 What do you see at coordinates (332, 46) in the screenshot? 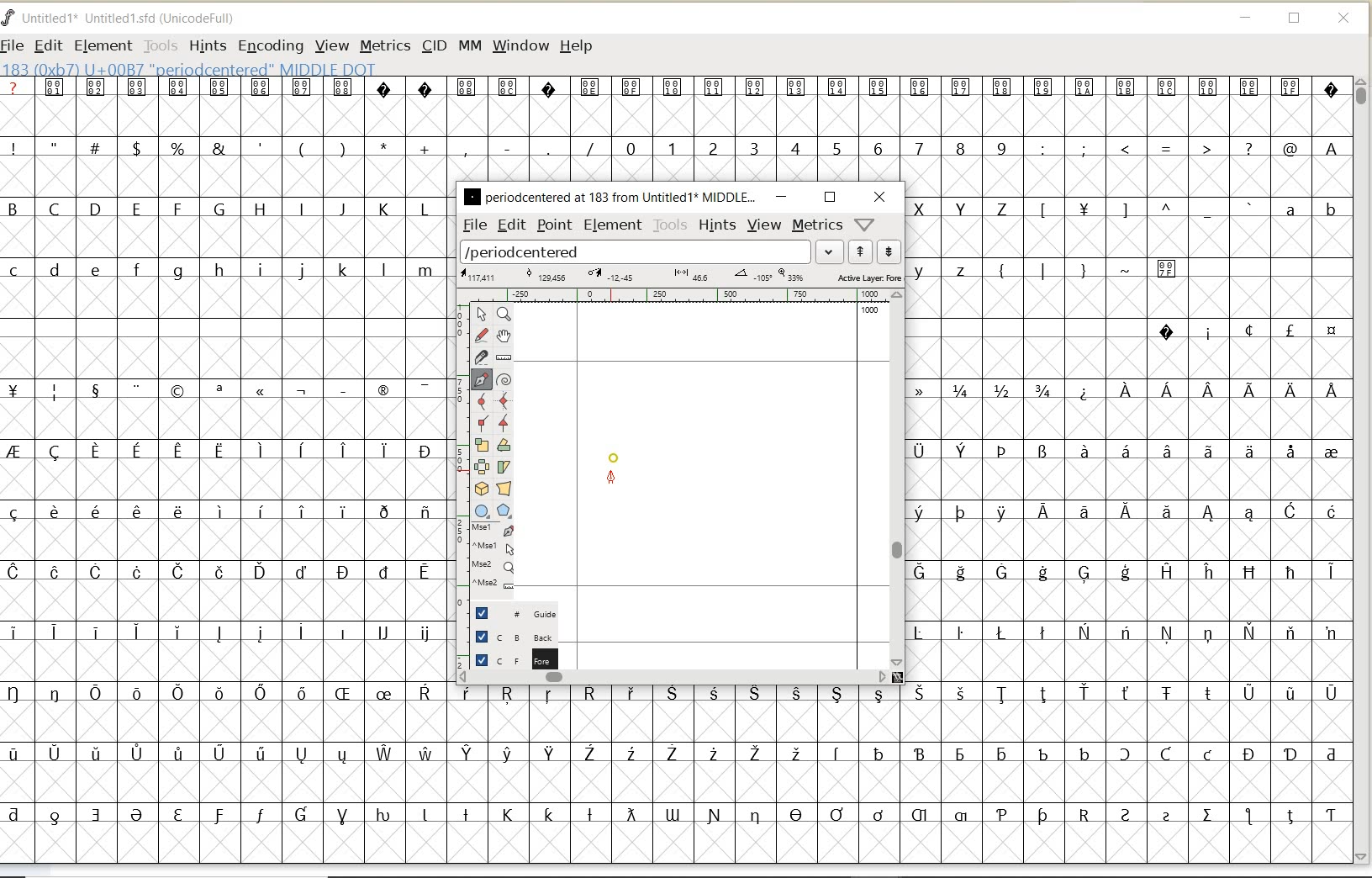
I see `VIEW` at bounding box center [332, 46].